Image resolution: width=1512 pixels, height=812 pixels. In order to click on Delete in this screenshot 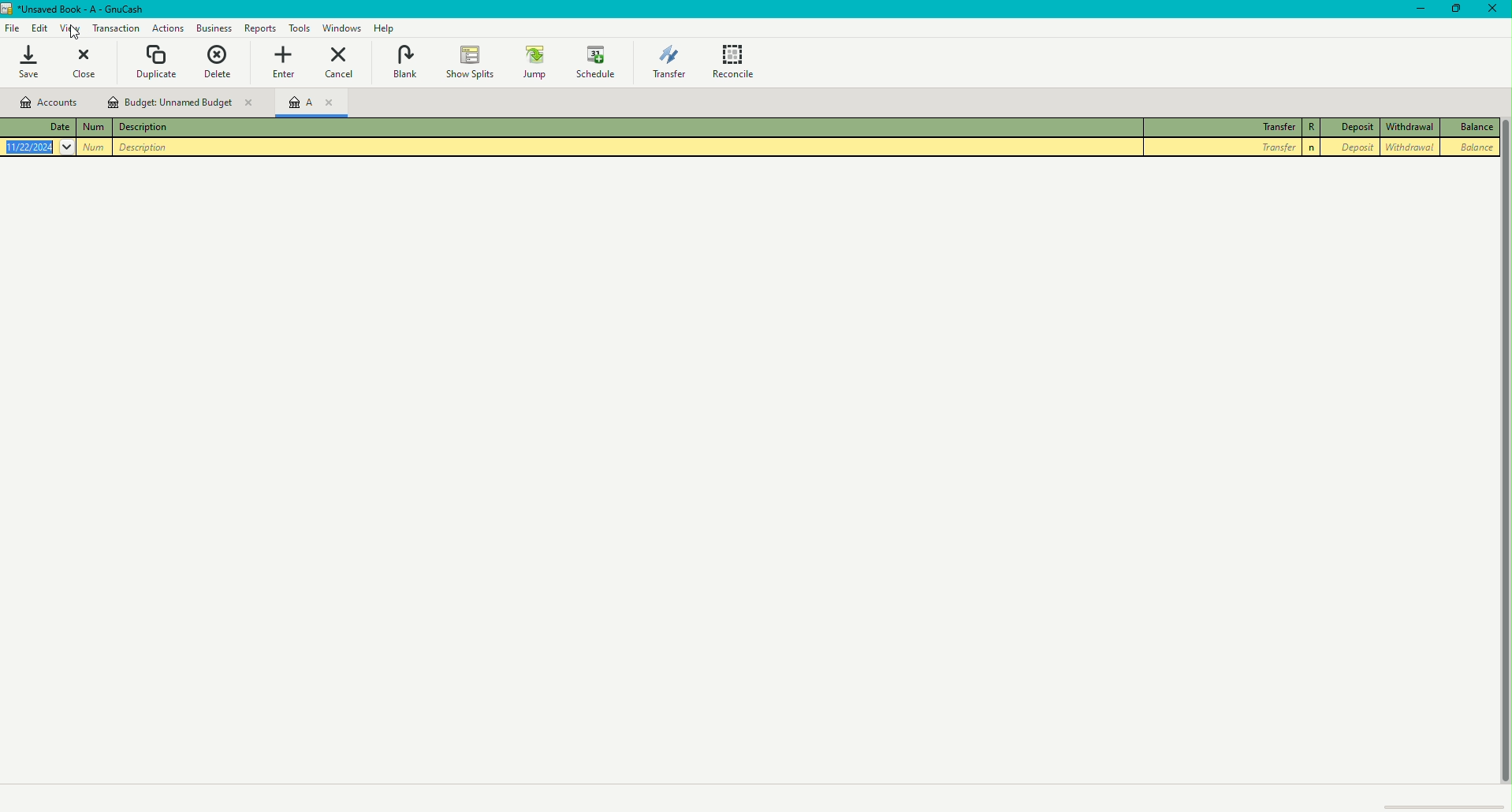, I will do `click(218, 62)`.